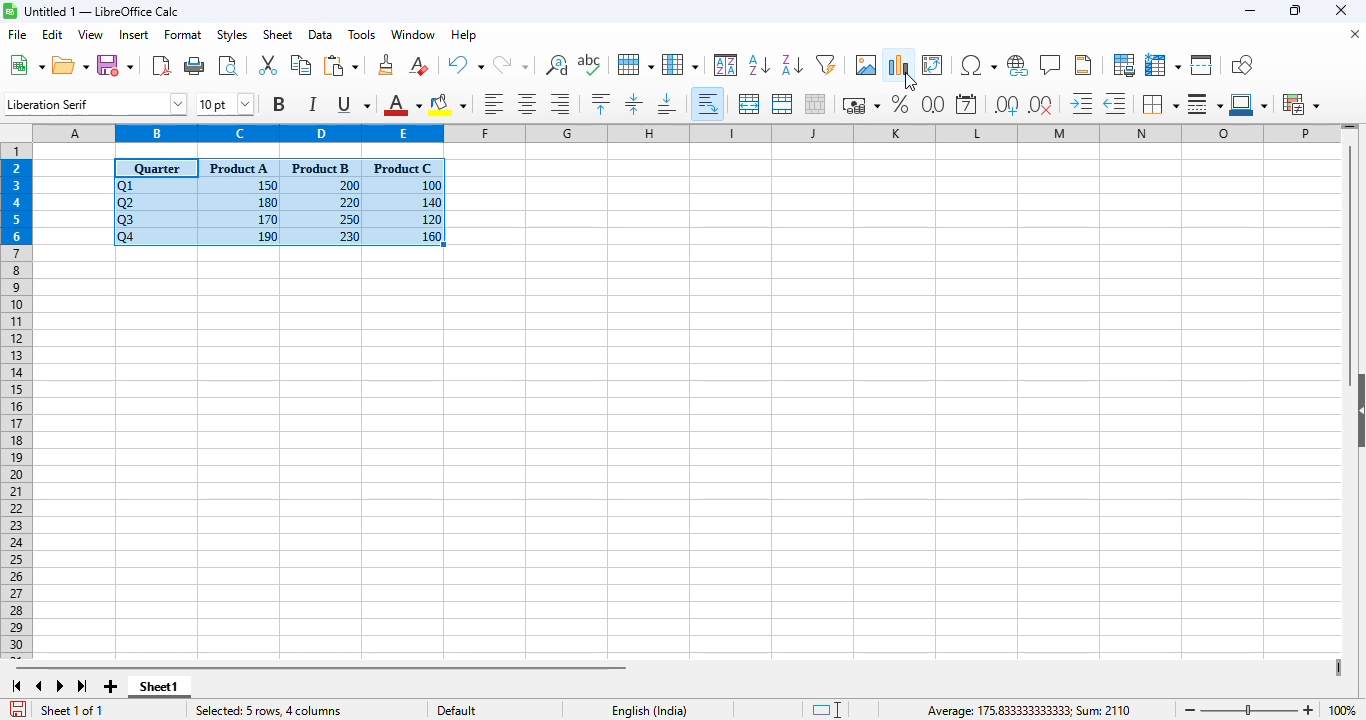 The image size is (1366, 720). What do you see at coordinates (232, 35) in the screenshot?
I see `styles` at bounding box center [232, 35].